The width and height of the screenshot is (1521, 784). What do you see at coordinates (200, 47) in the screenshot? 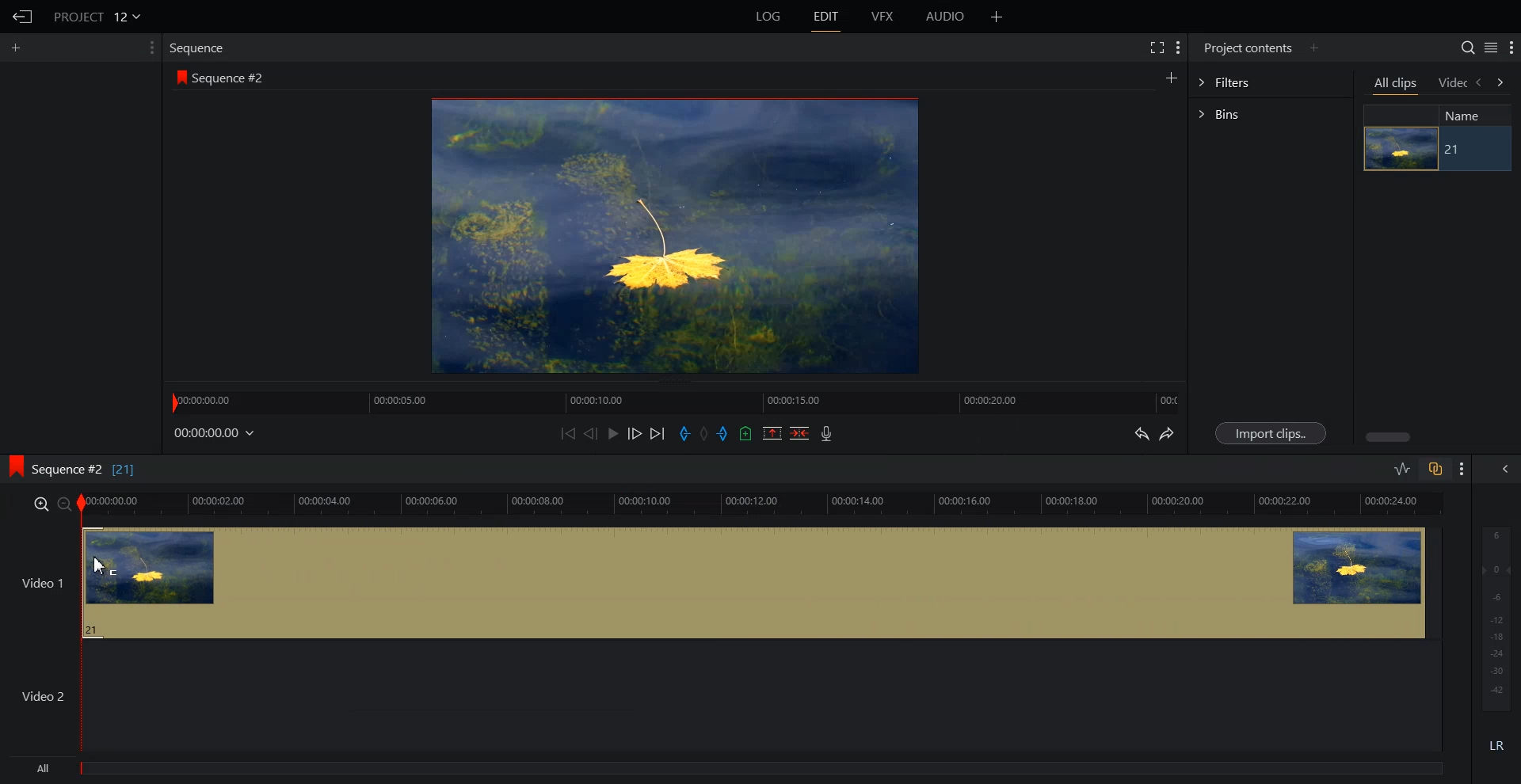
I see `Sequence` at bounding box center [200, 47].